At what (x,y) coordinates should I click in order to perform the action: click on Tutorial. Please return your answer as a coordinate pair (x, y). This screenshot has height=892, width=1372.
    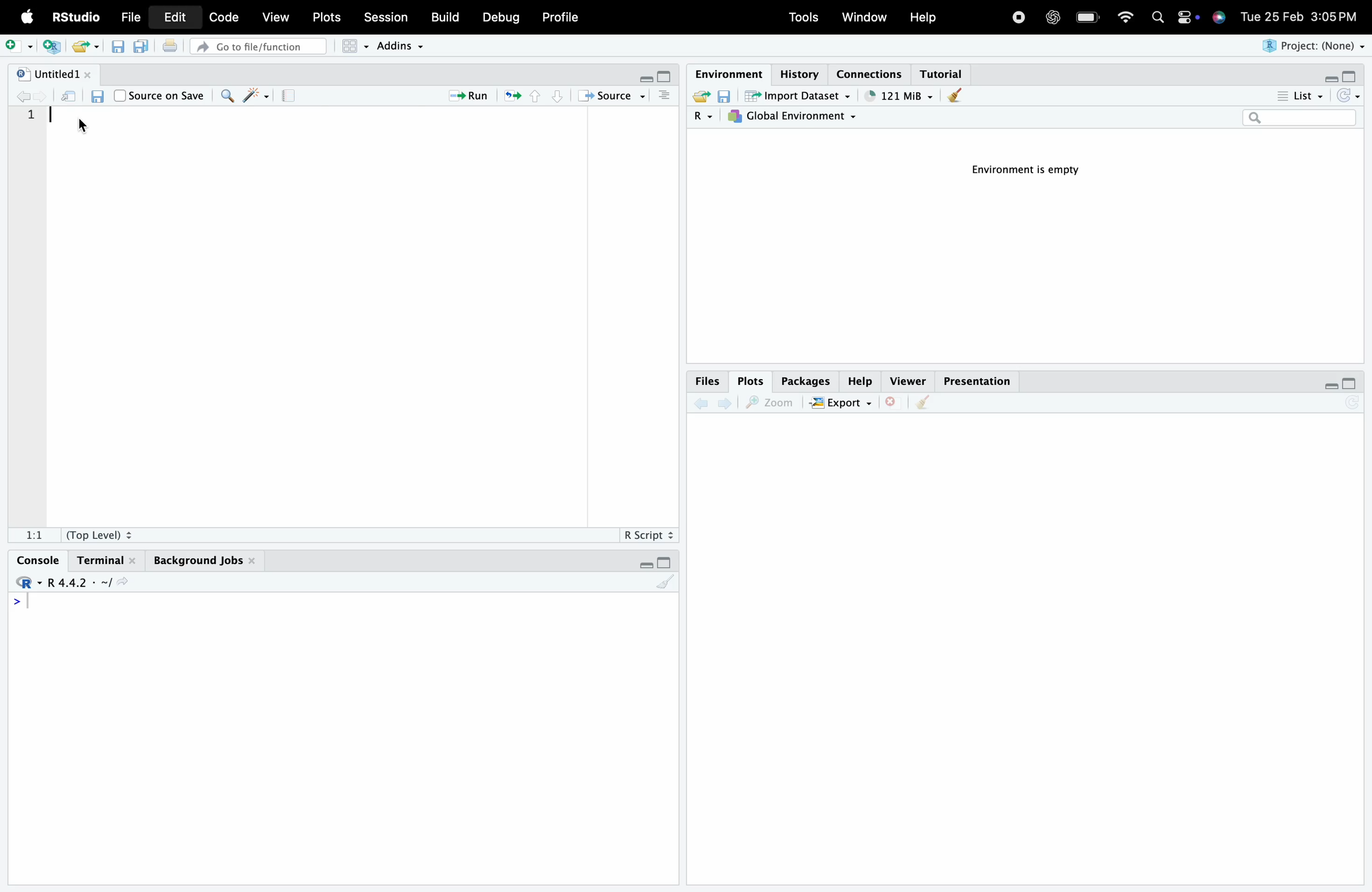
    Looking at the image, I should click on (945, 72).